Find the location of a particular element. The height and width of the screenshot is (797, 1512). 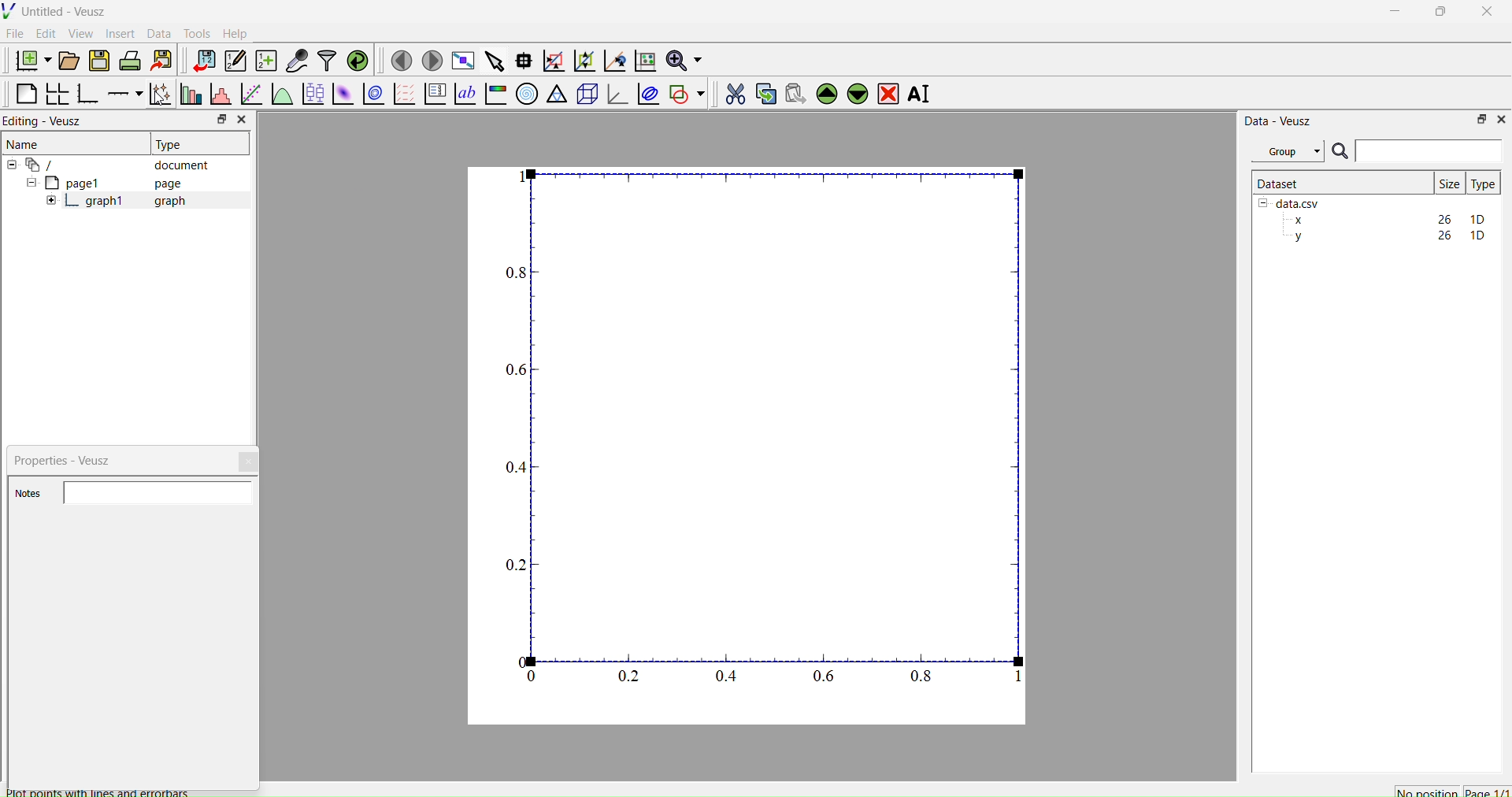

Image color bar is located at coordinates (494, 94).